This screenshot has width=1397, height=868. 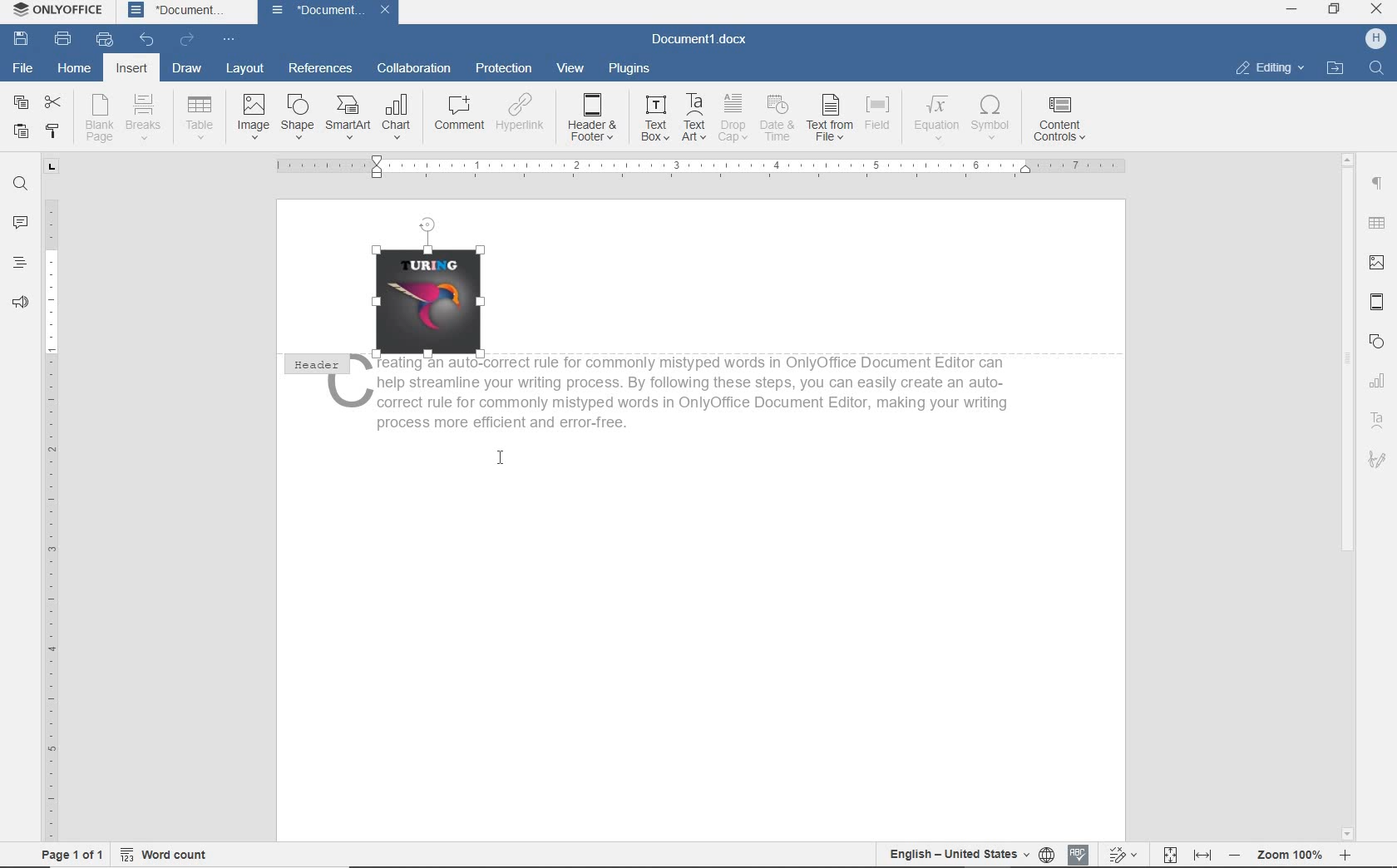 I want to click on EDITING, so click(x=1271, y=67).